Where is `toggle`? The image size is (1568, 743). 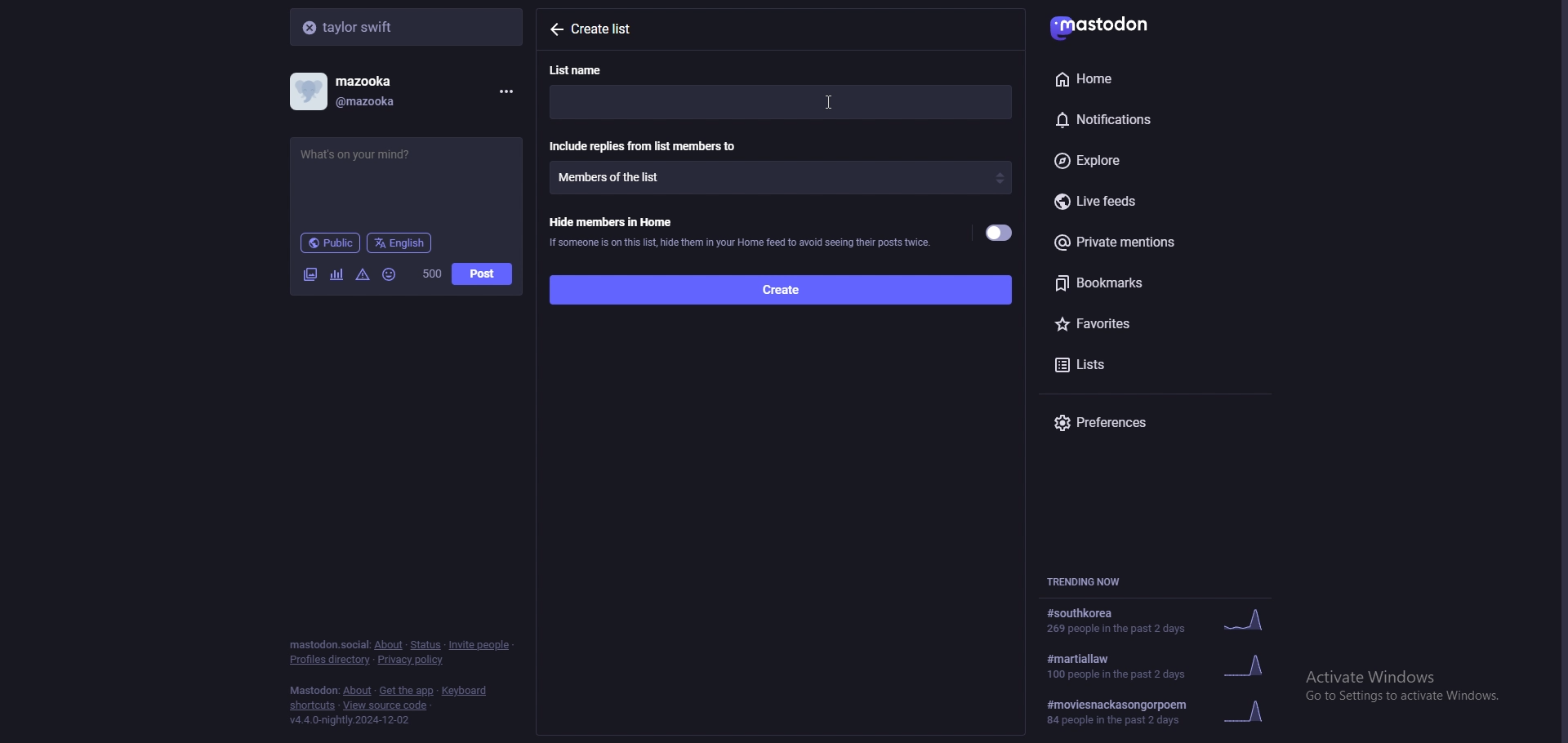 toggle is located at coordinates (1000, 234).